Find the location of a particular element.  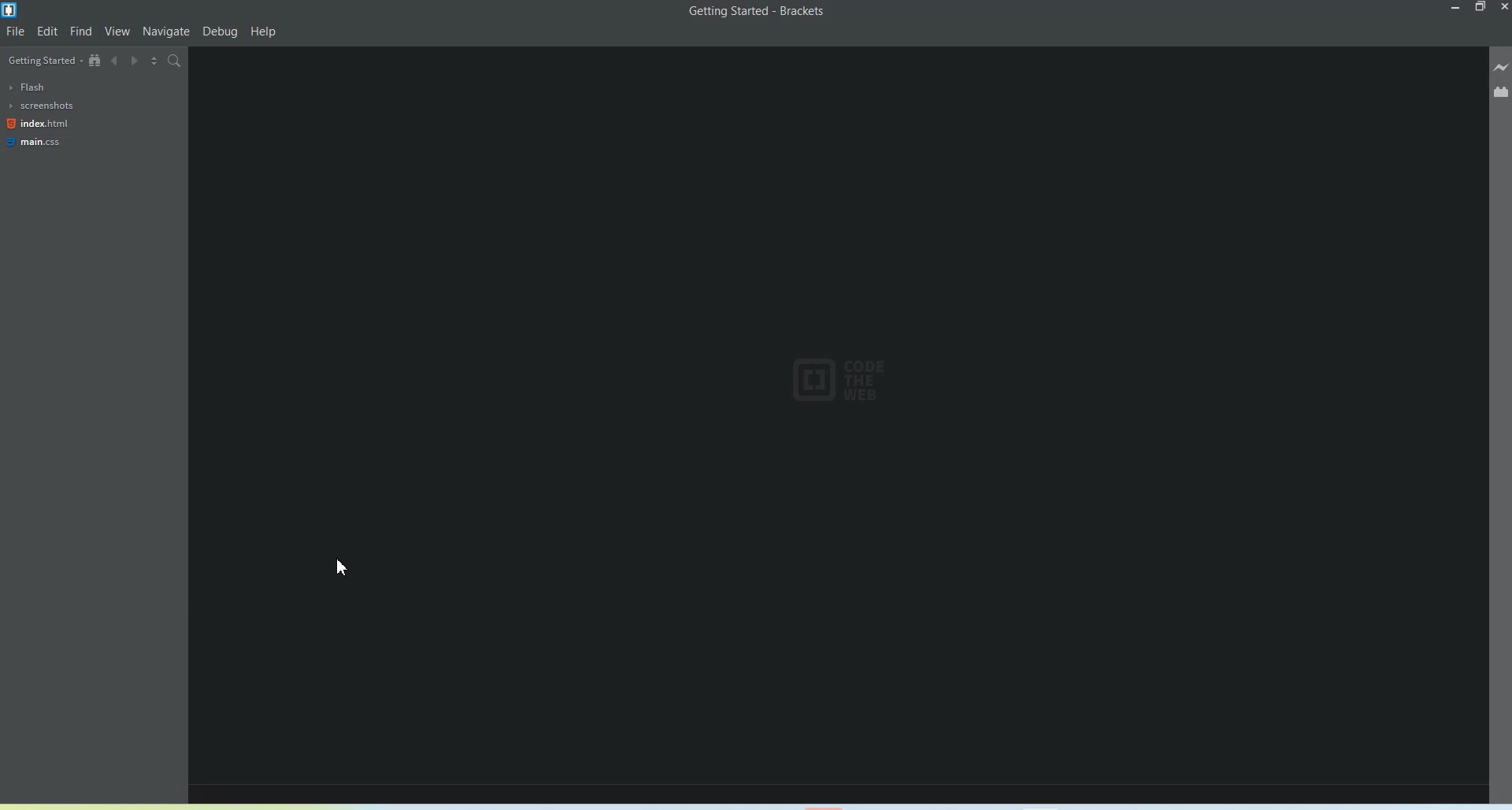

File is located at coordinates (16, 32).